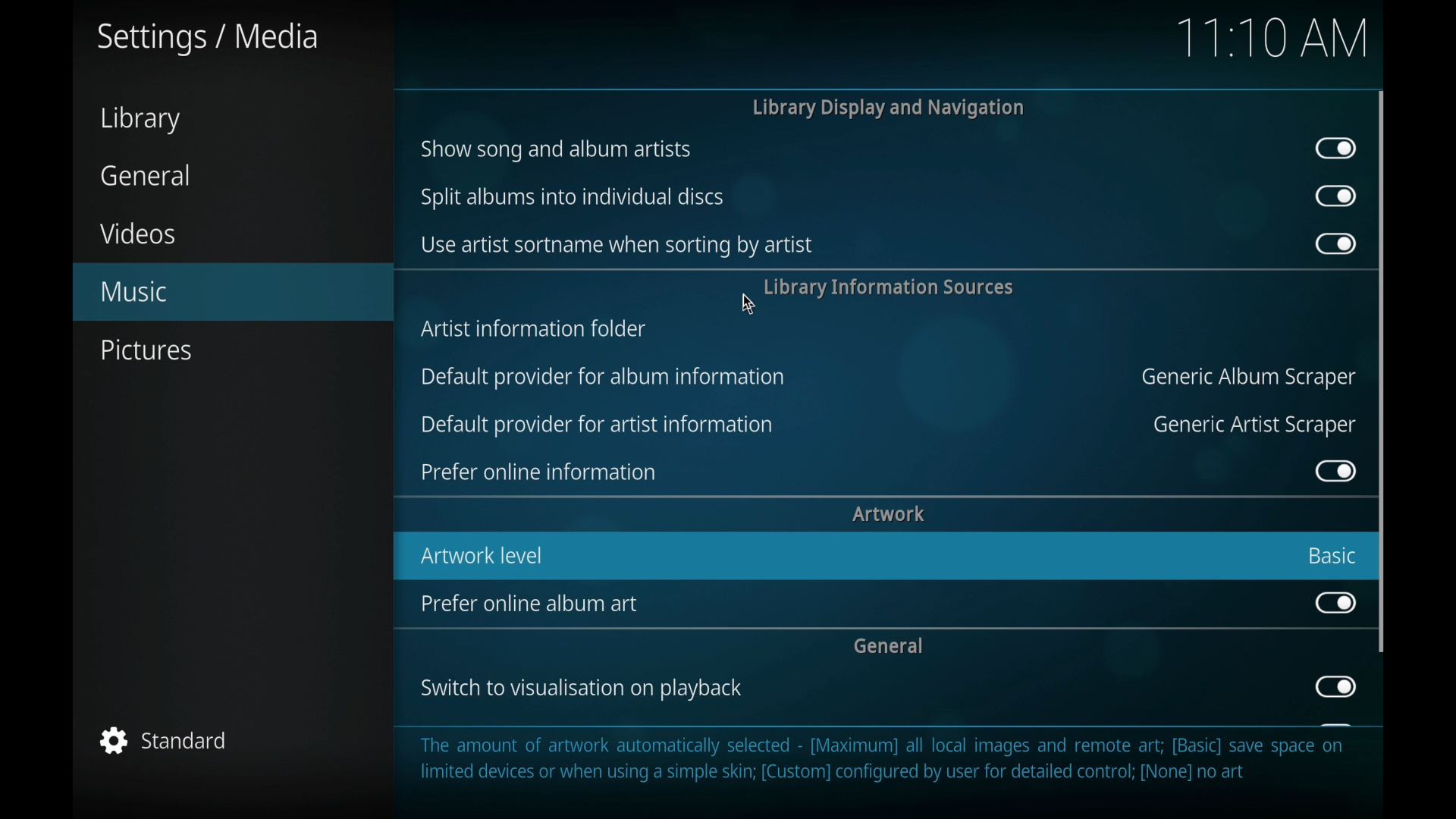 Image resolution: width=1456 pixels, height=819 pixels. Describe the element at coordinates (1248, 378) in the screenshot. I see `generic album scraper` at that location.